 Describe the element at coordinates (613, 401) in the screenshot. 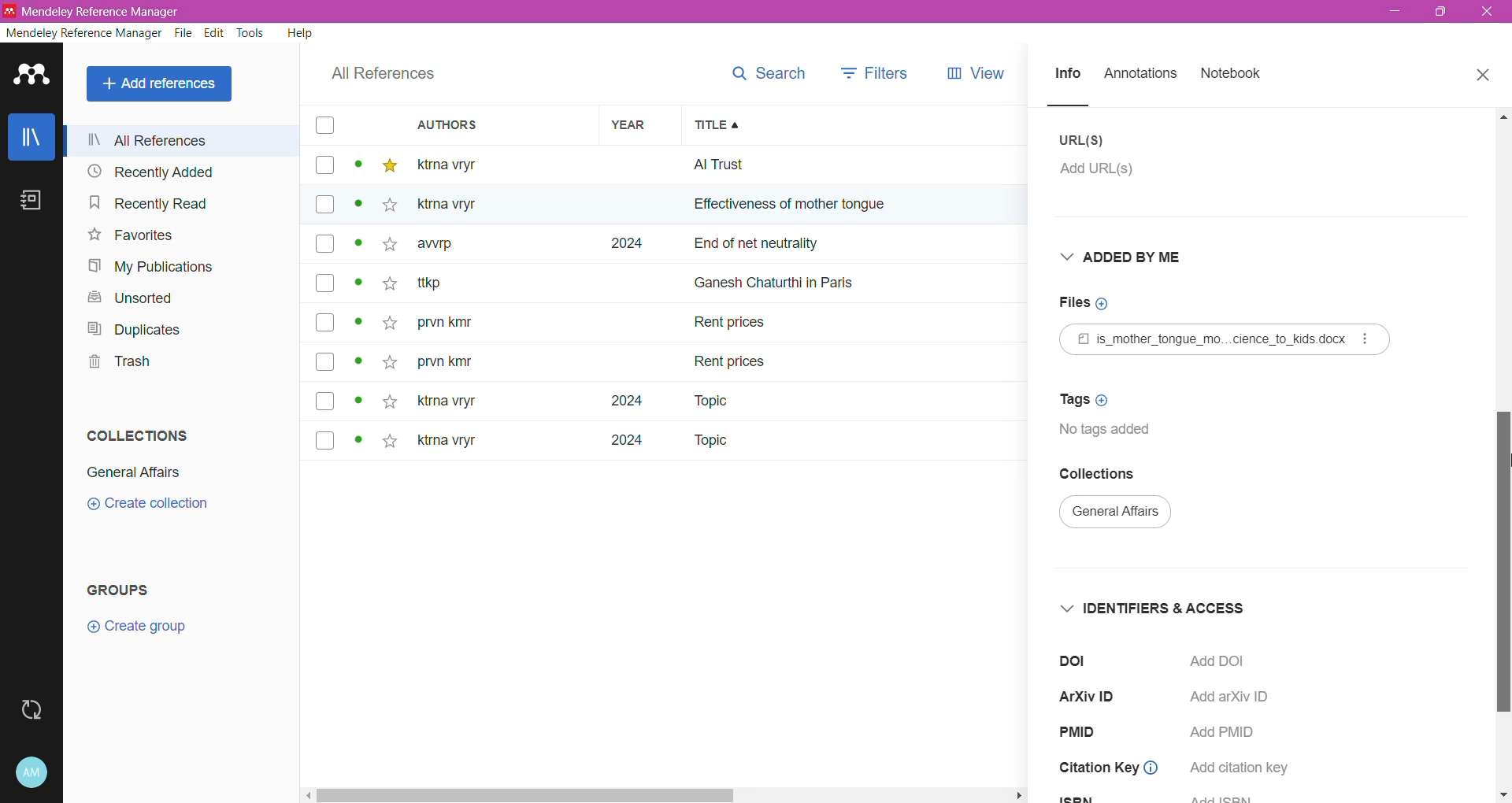

I see `2024` at that location.